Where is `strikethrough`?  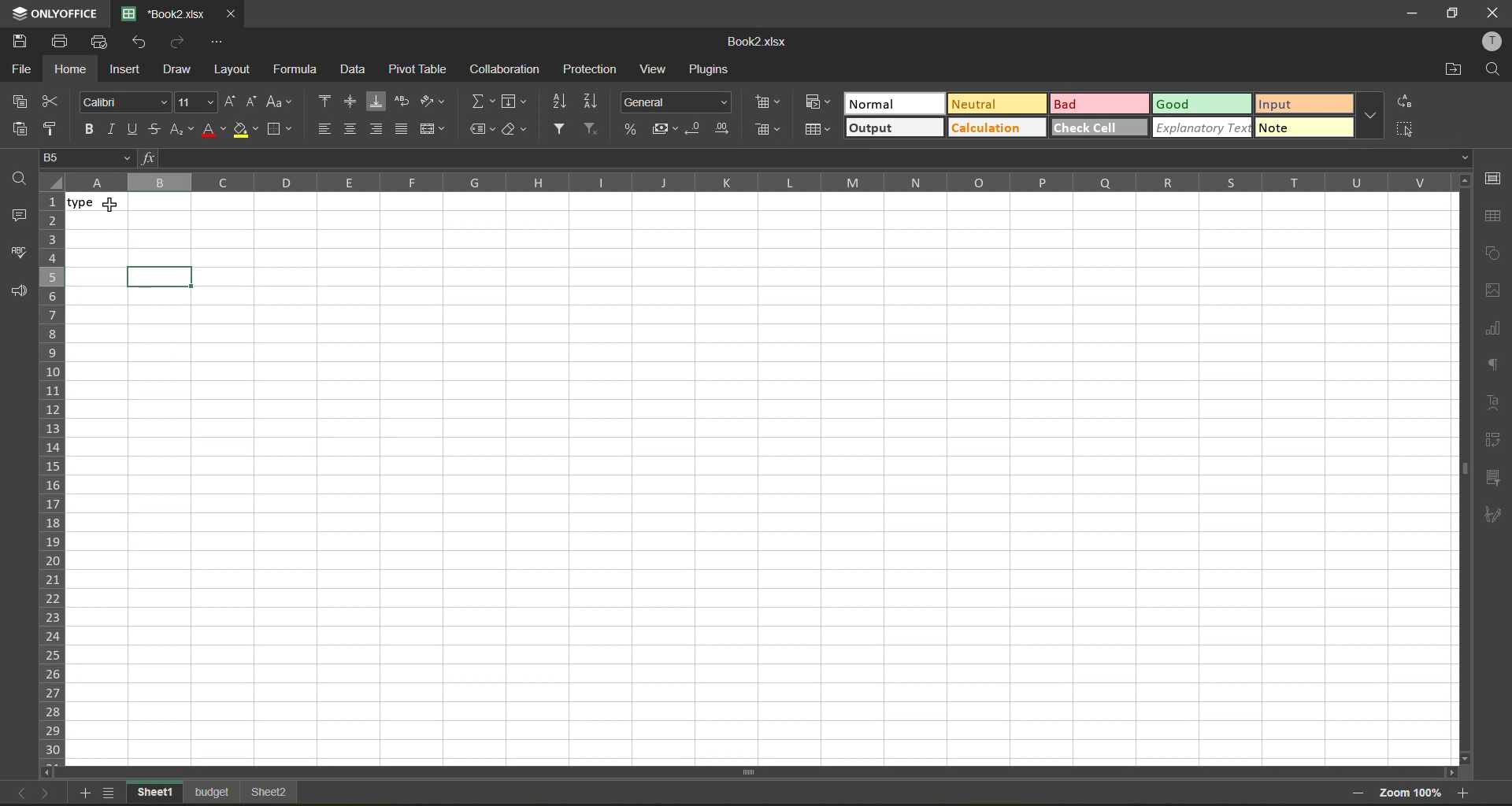 strikethrough is located at coordinates (156, 130).